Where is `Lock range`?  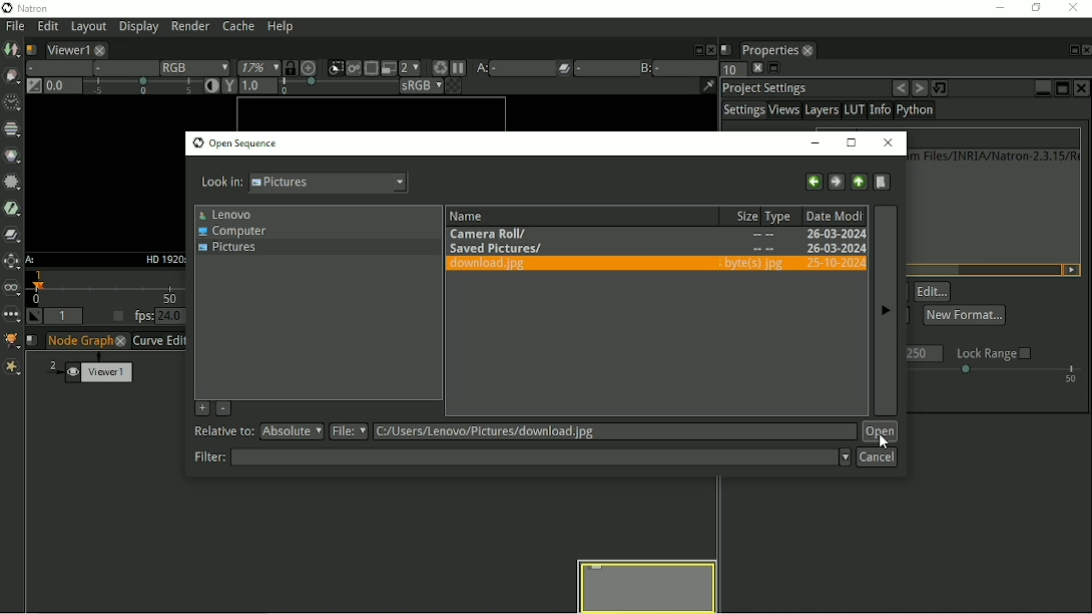
Lock range is located at coordinates (994, 353).